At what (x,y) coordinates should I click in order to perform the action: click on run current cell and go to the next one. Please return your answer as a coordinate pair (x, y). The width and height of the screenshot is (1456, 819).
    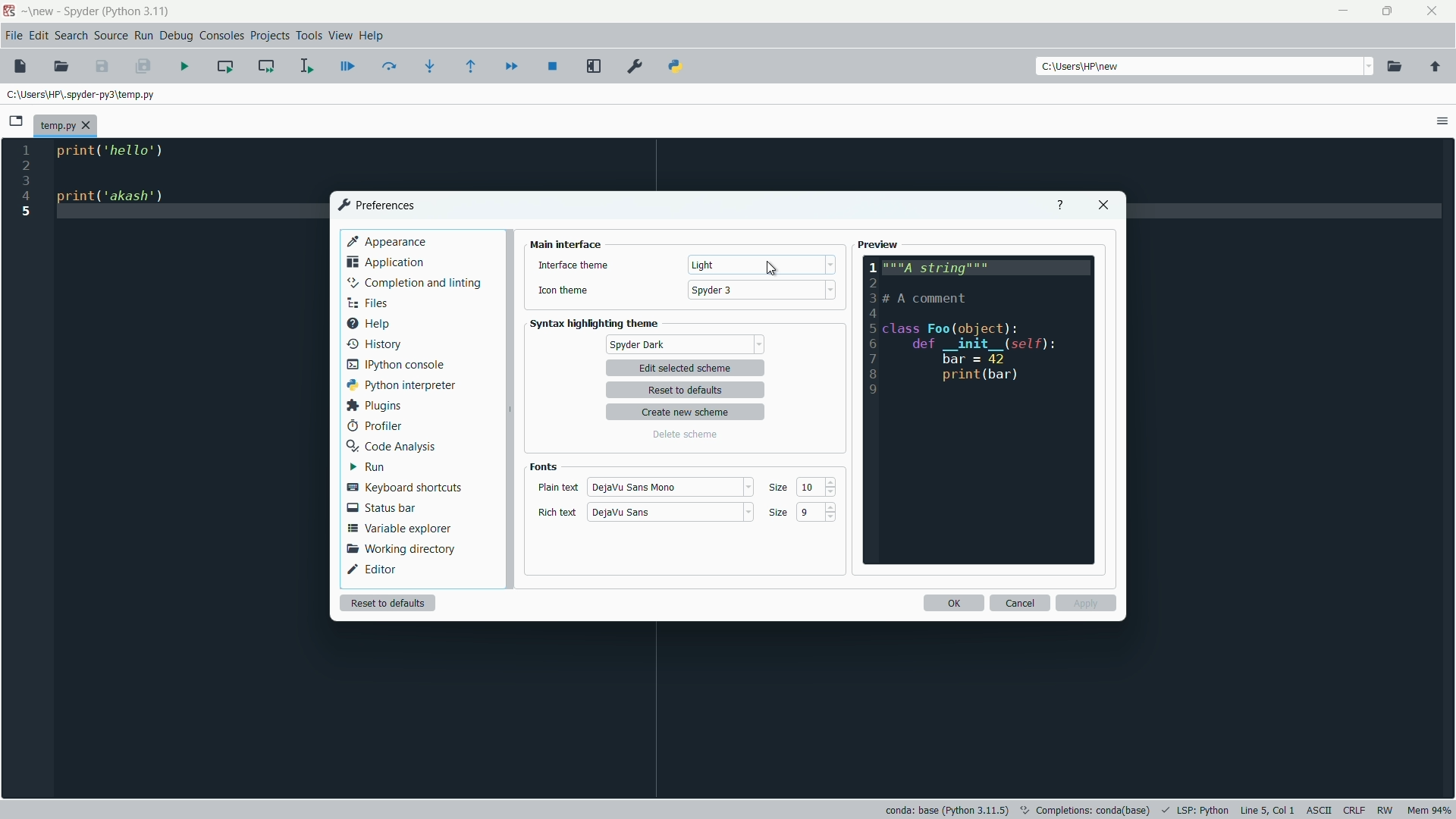
    Looking at the image, I should click on (265, 66).